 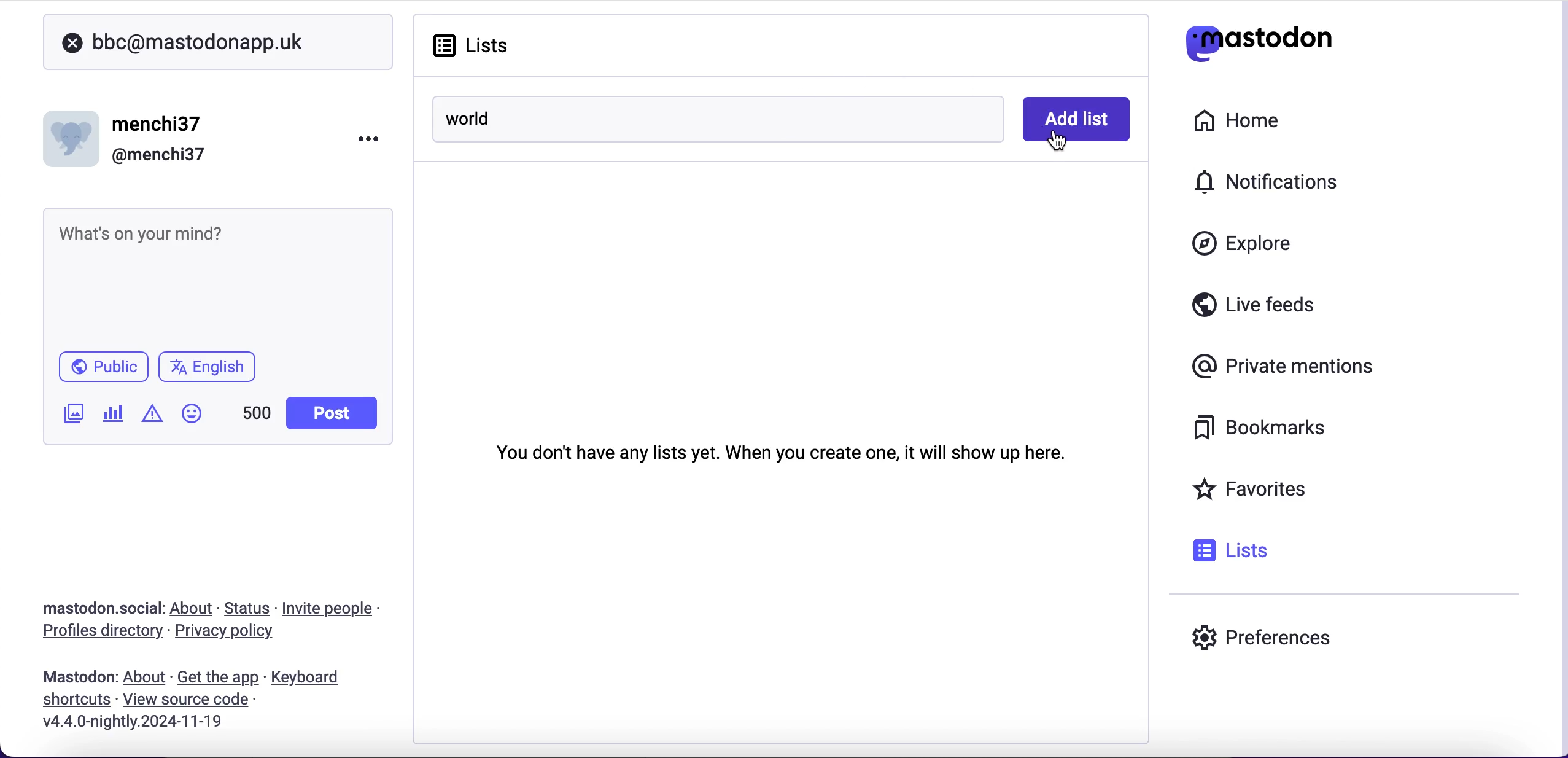 I want to click on view source code, so click(x=190, y=700).